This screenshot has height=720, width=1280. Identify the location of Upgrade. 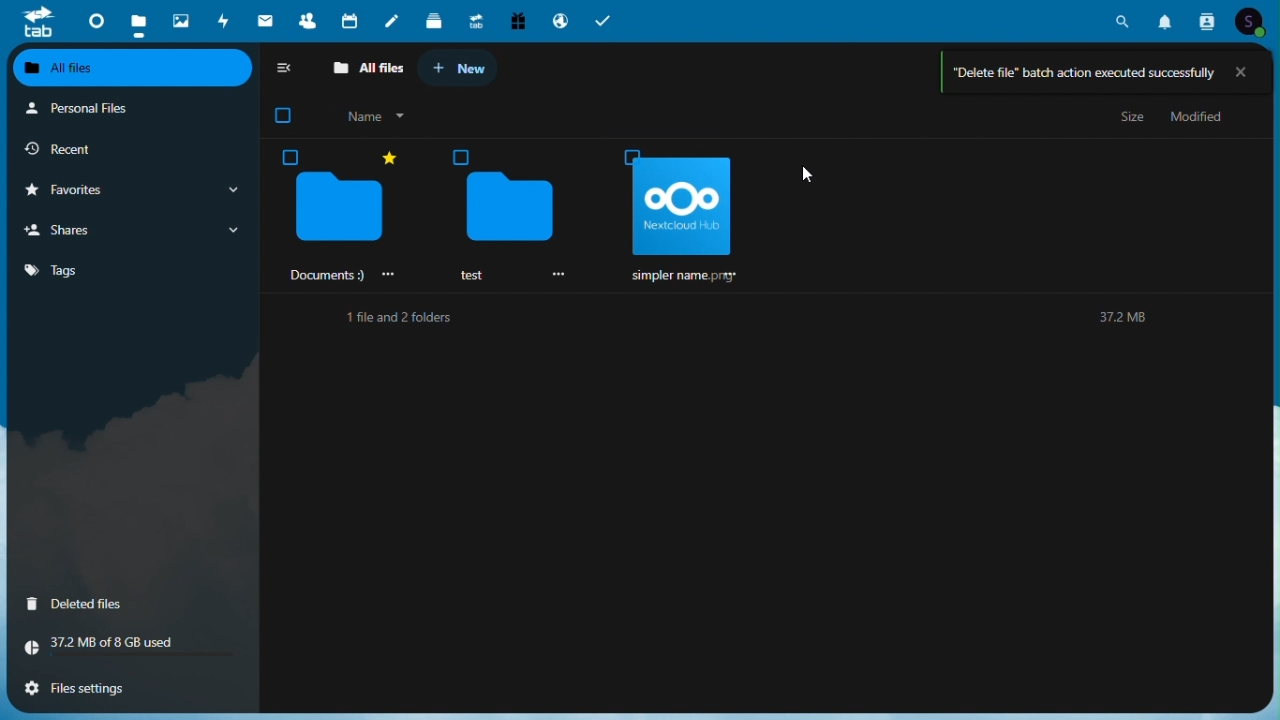
(475, 20).